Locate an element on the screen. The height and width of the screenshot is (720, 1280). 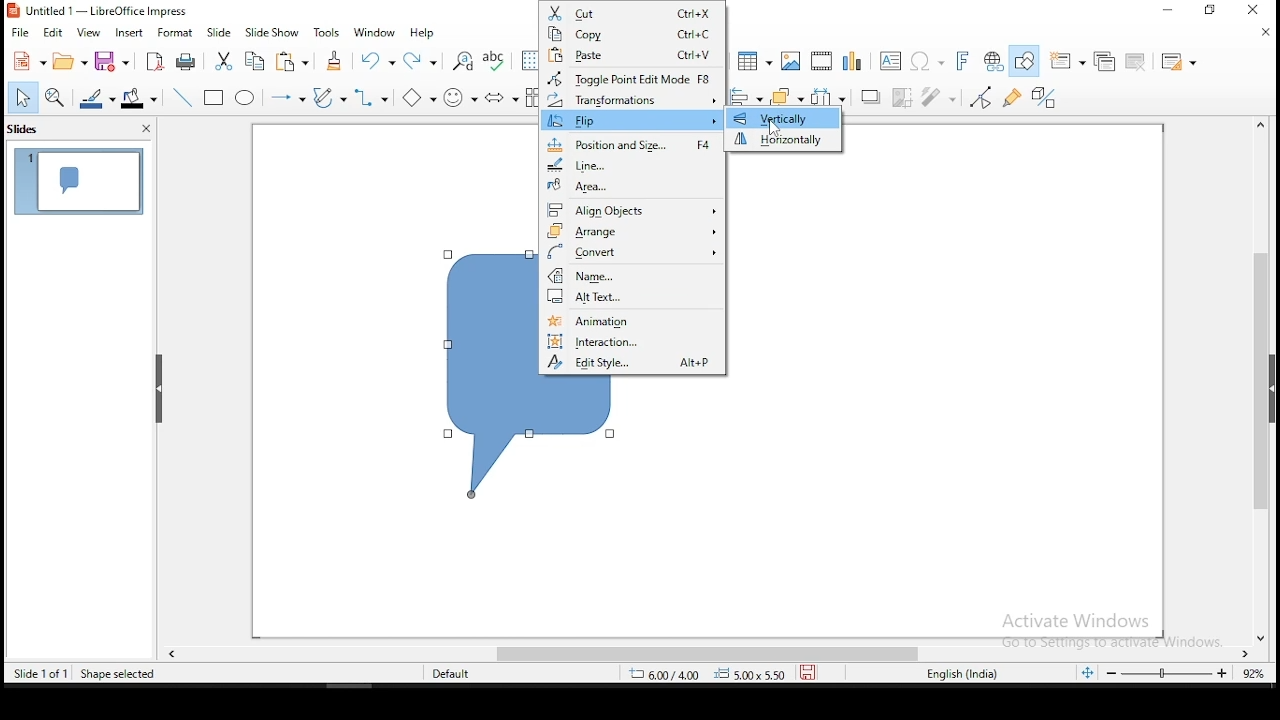
delete slide is located at coordinates (1139, 61).